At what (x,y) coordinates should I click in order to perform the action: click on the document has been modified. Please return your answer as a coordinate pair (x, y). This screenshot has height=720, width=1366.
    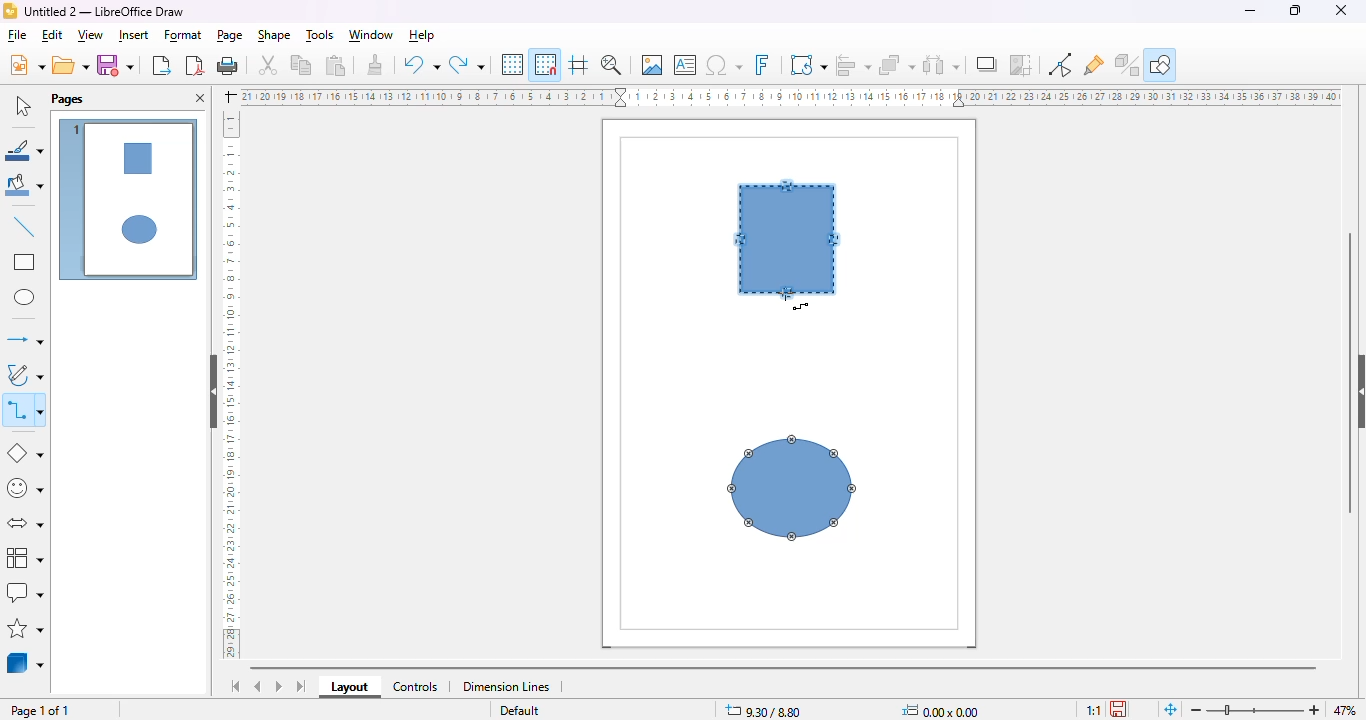
    Looking at the image, I should click on (1120, 708).